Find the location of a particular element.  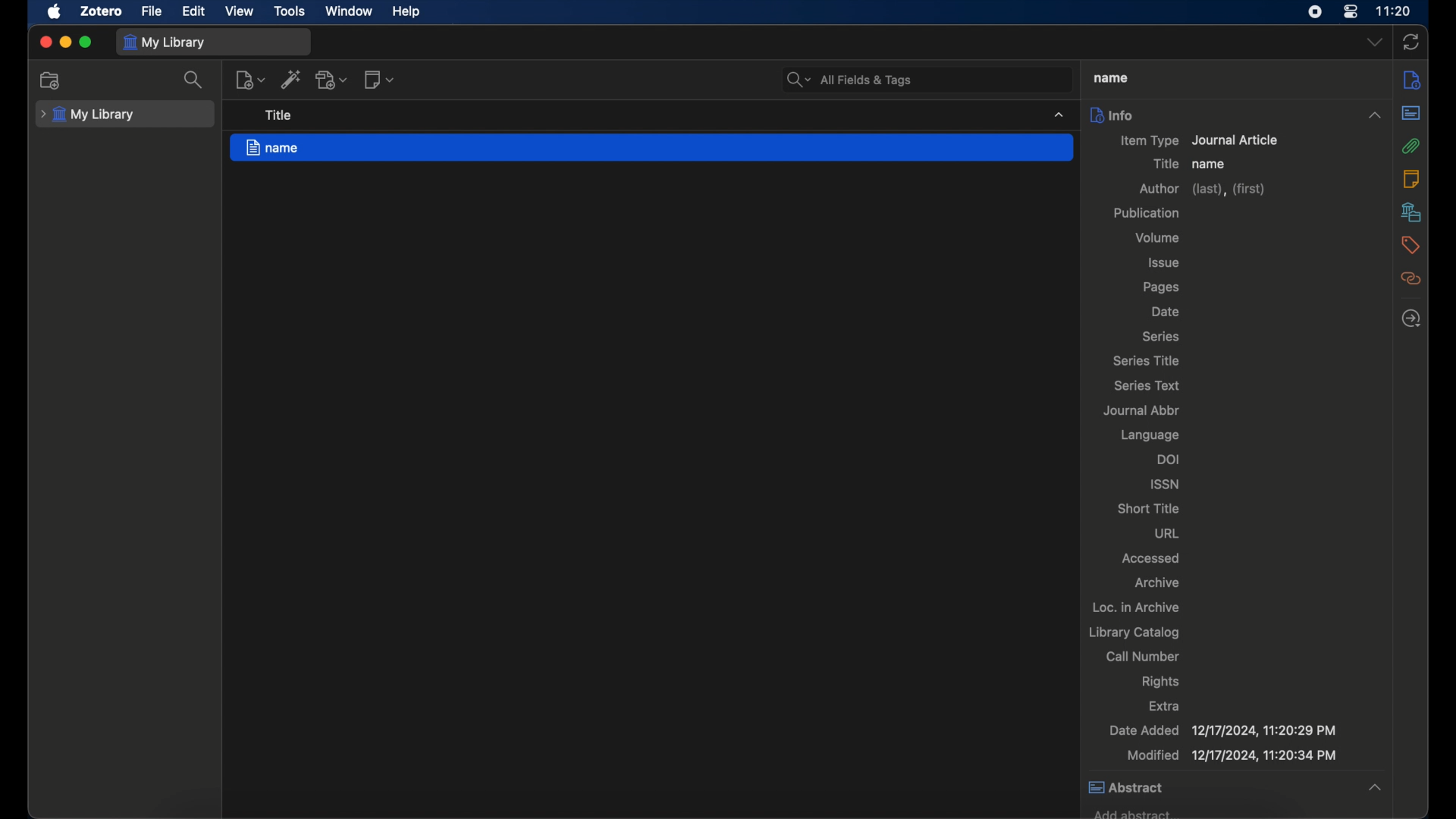

my library is located at coordinates (87, 115).